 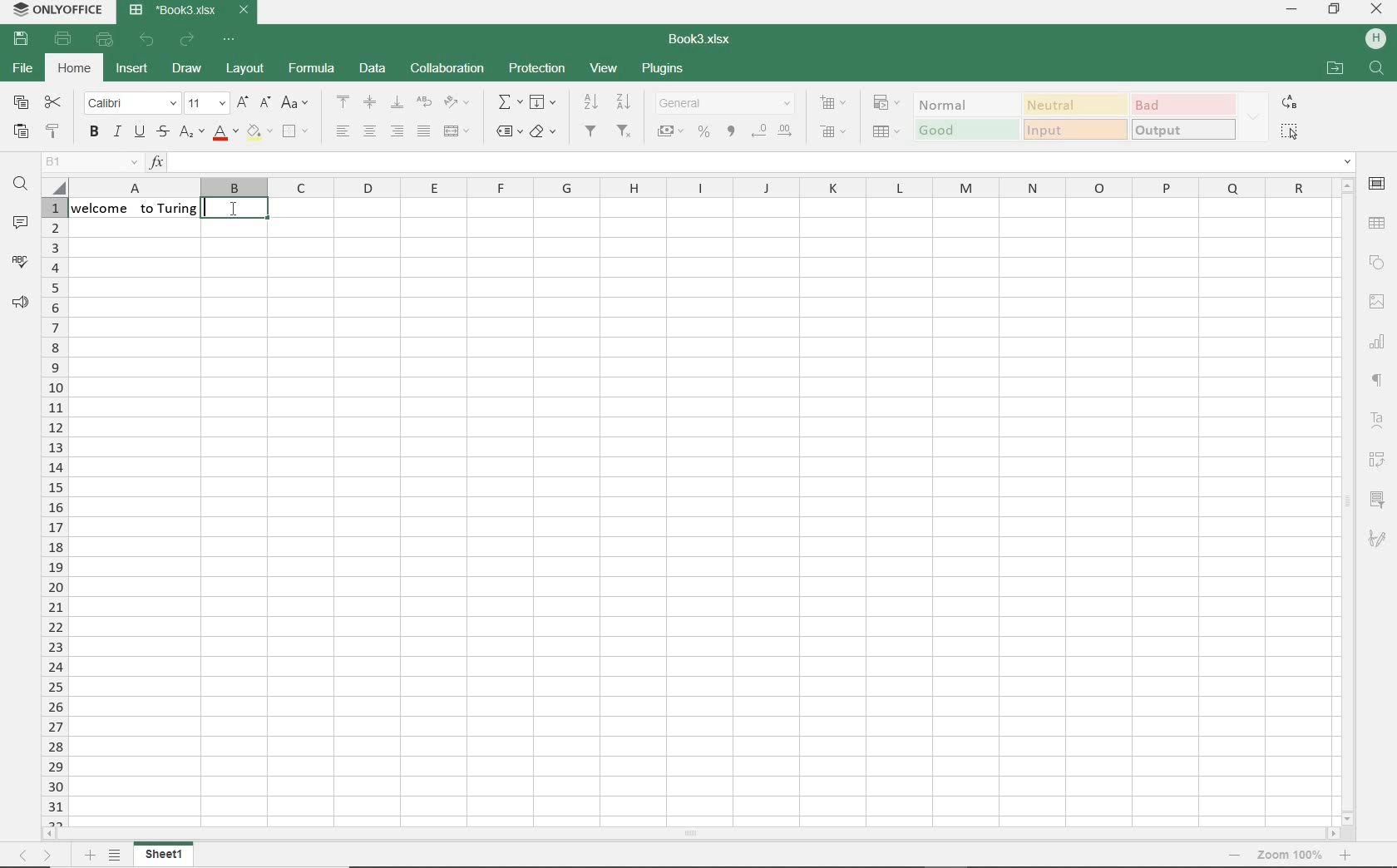 I want to click on EXPAND, so click(x=1253, y=117).